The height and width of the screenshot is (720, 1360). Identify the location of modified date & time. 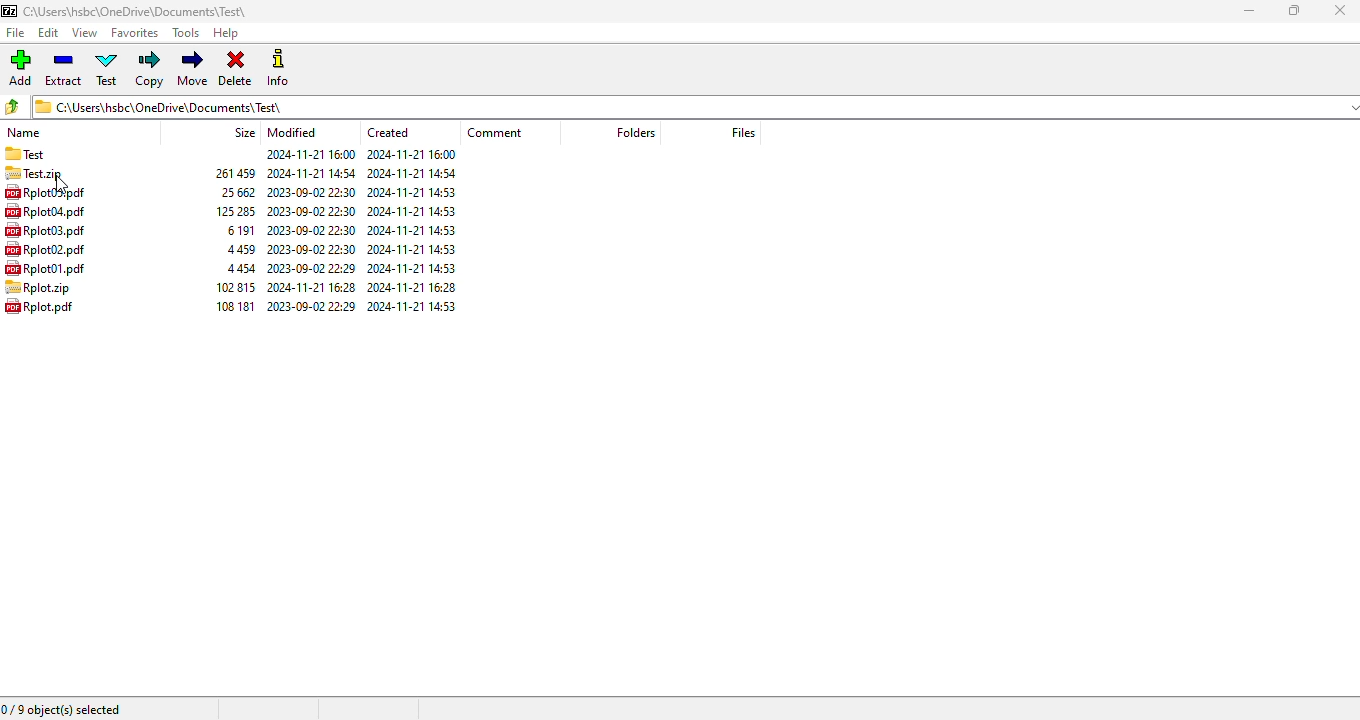
(311, 154).